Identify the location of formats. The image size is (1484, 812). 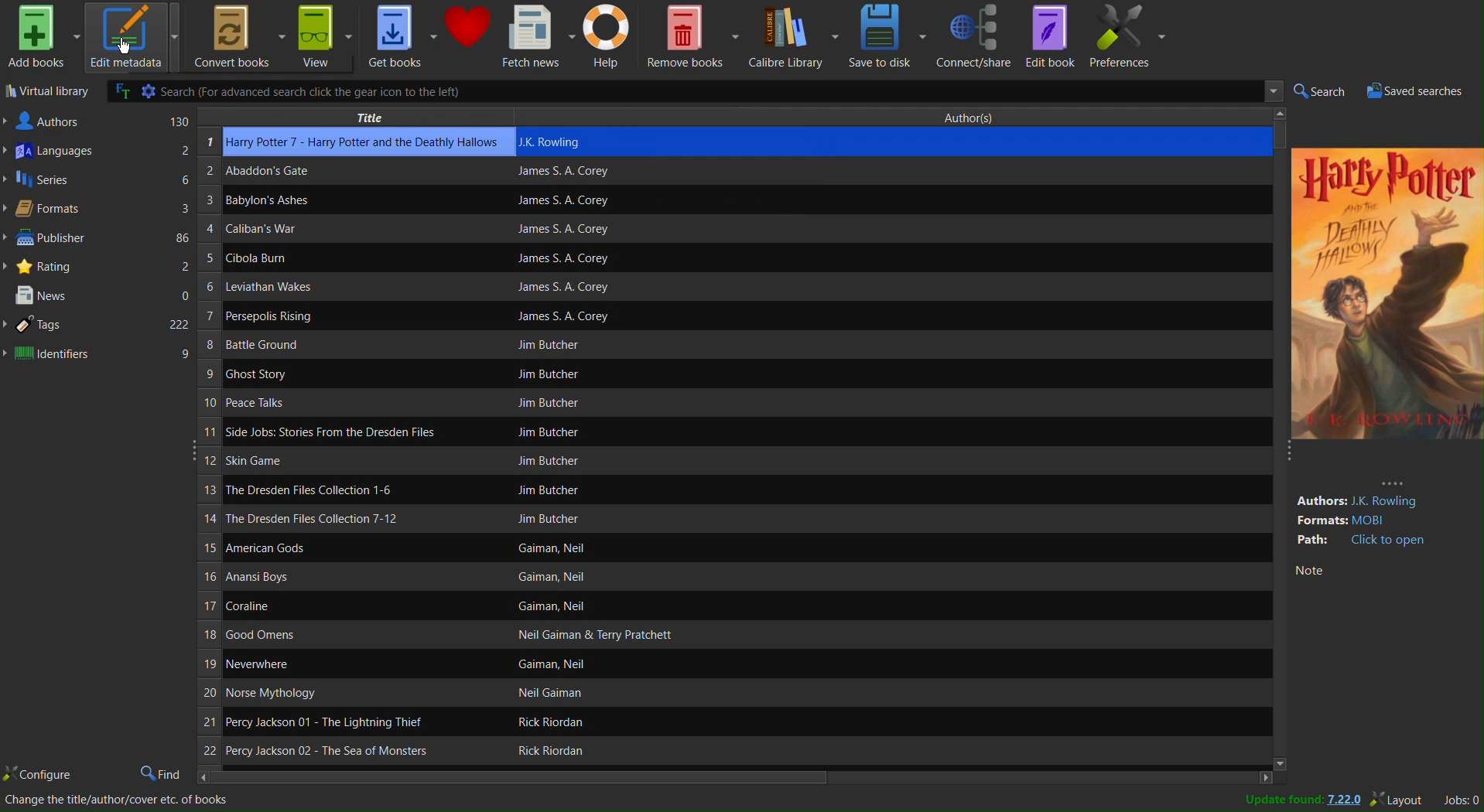
(1381, 520).